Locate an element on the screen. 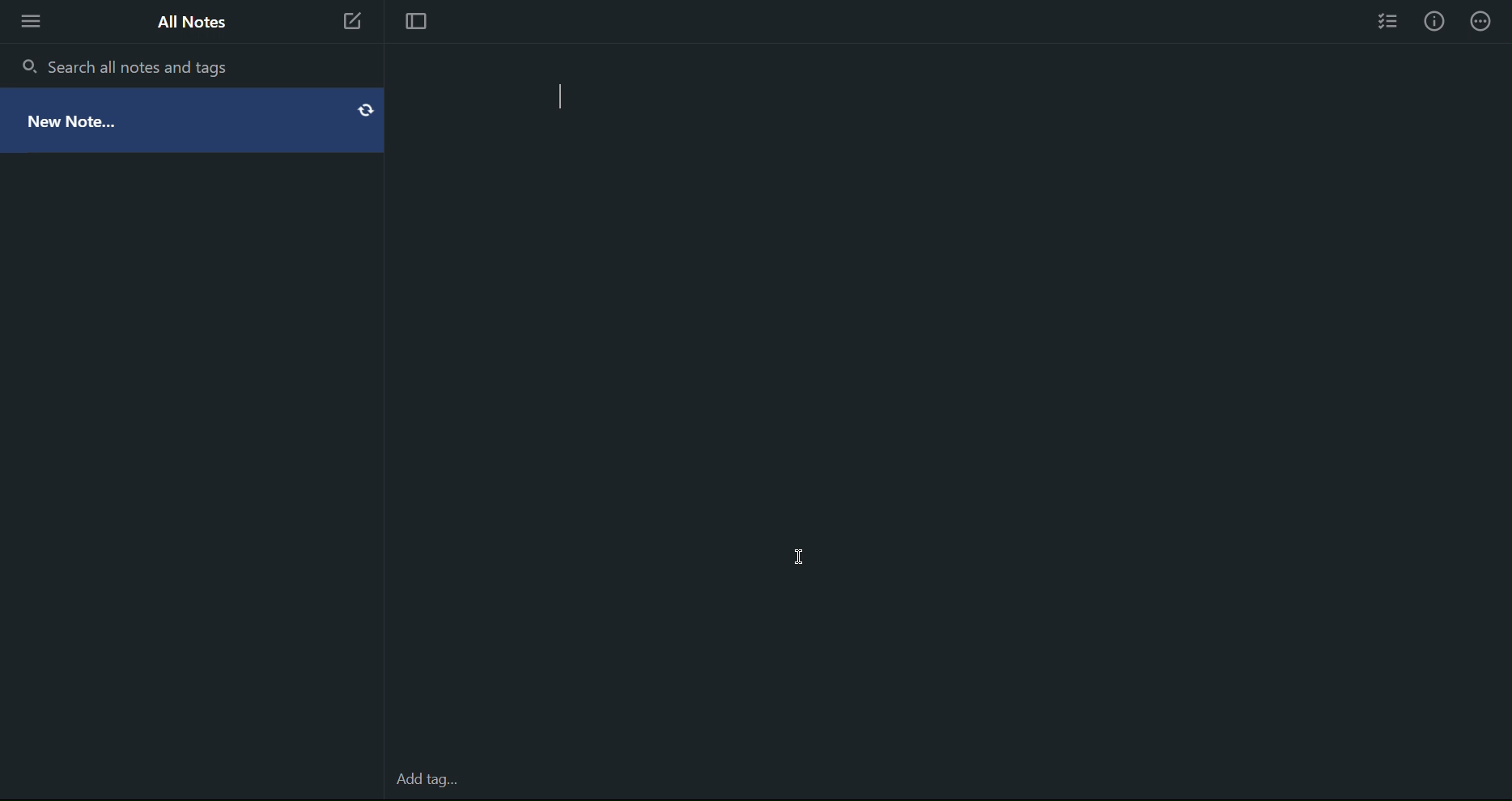 This screenshot has width=1512, height=801. Info is located at coordinates (1489, 21).